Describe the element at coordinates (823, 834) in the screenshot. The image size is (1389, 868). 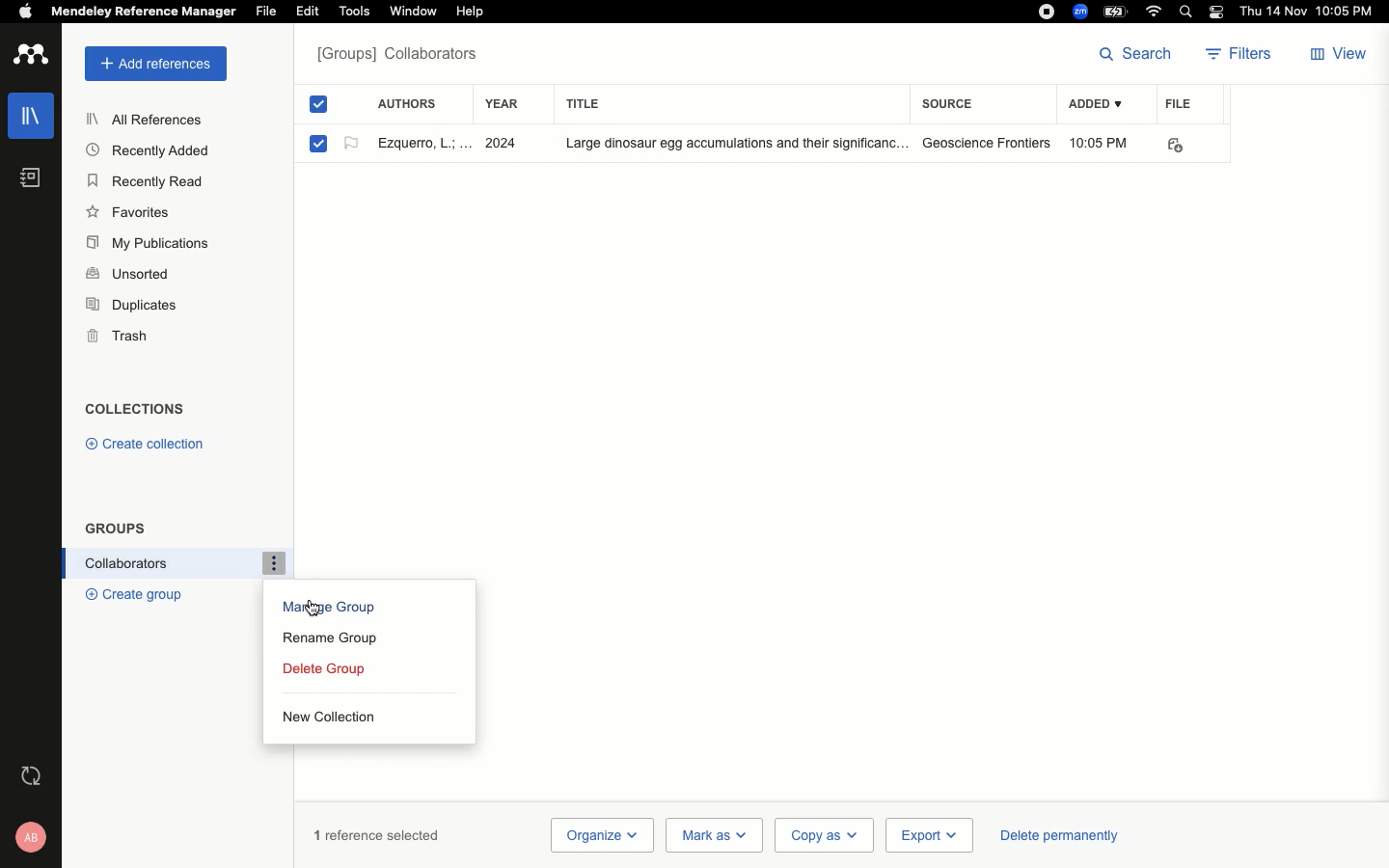
I see `Copy as` at that location.